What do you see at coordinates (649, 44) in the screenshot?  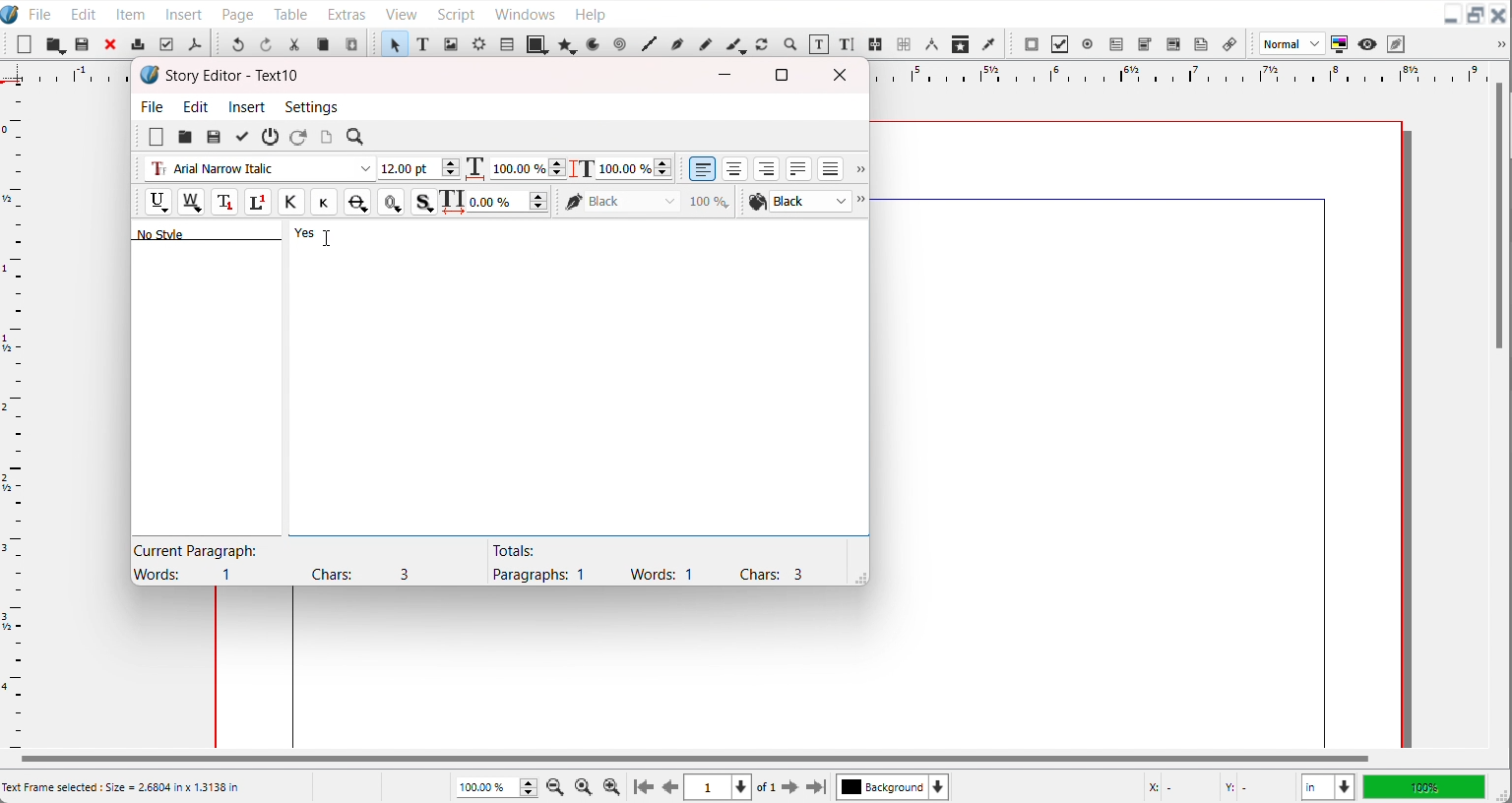 I see `Line` at bounding box center [649, 44].